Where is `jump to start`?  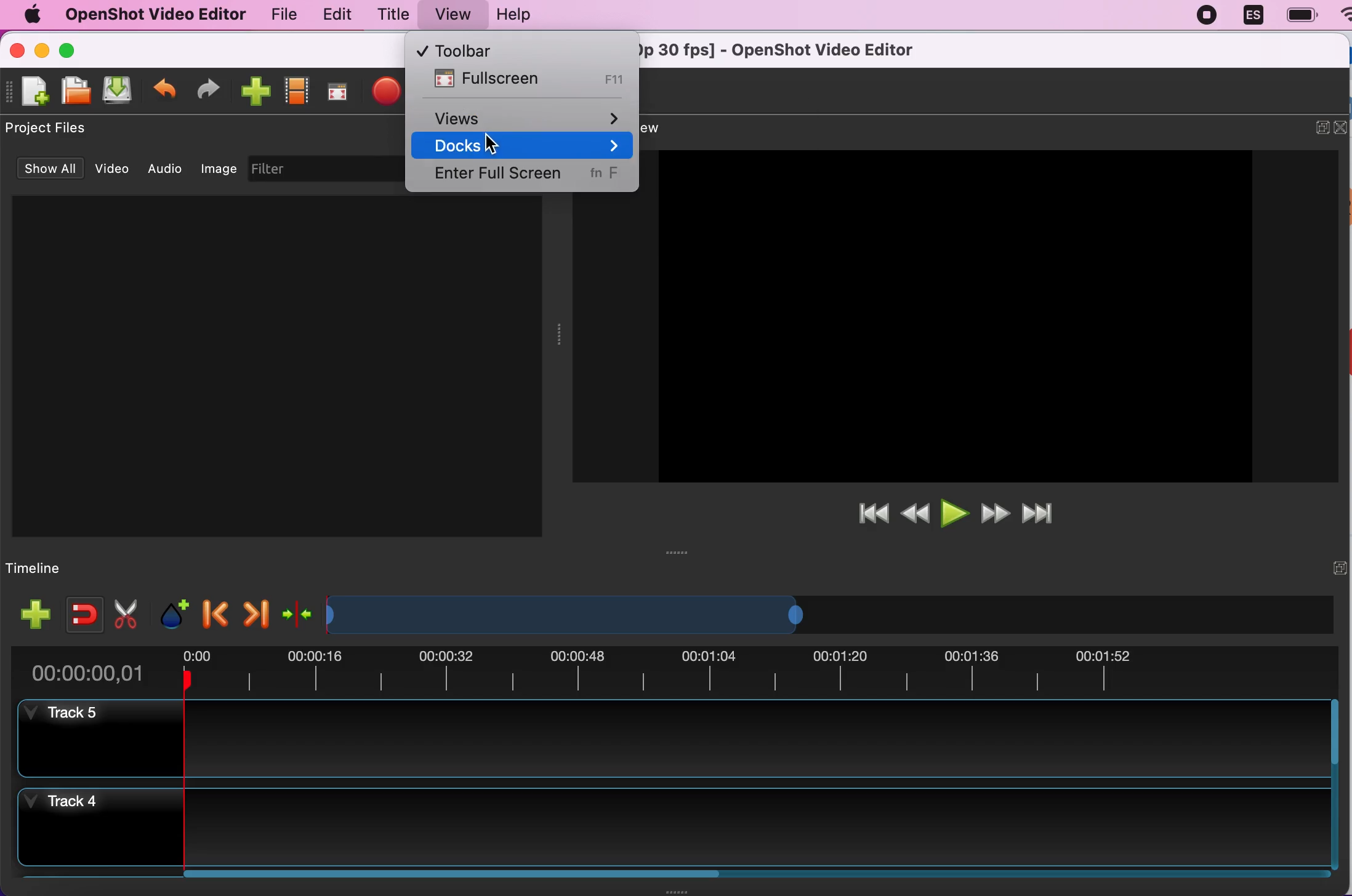
jump to start is located at coordinates (874, 514).